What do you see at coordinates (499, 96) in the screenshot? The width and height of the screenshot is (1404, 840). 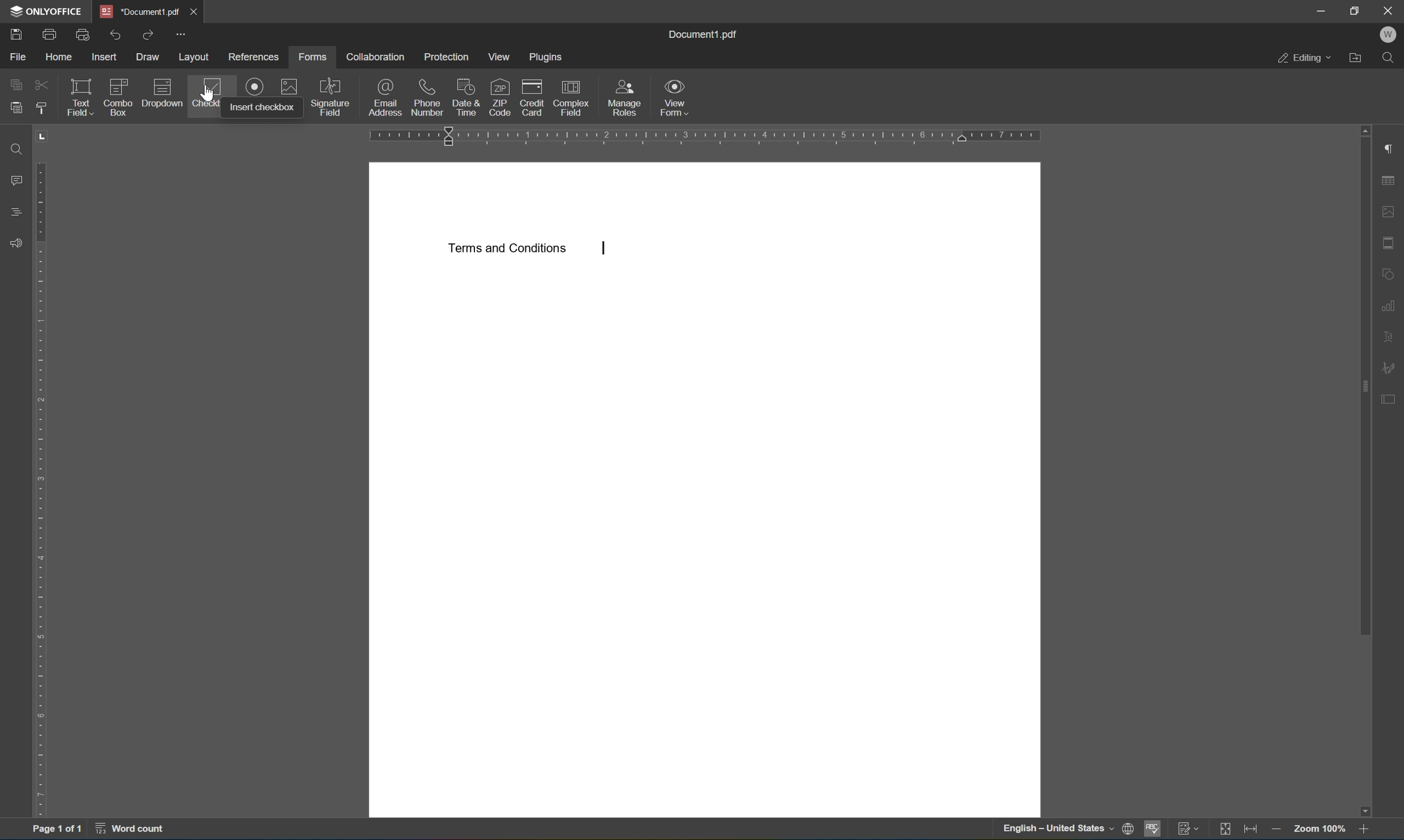 I see `zip codes` at bounding box center [499, 96].